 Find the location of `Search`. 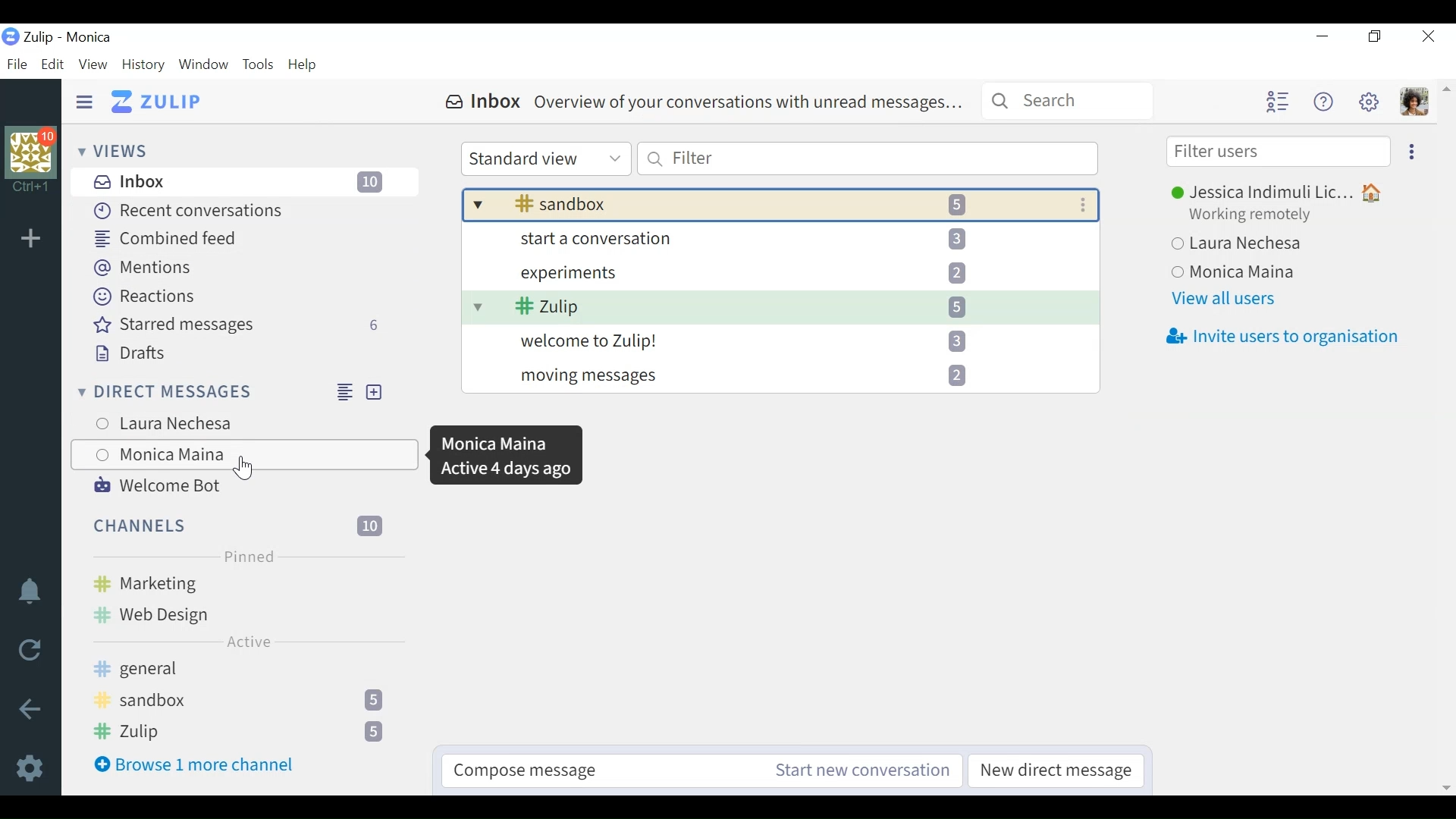

Search is located at coordinates (1068, 102).